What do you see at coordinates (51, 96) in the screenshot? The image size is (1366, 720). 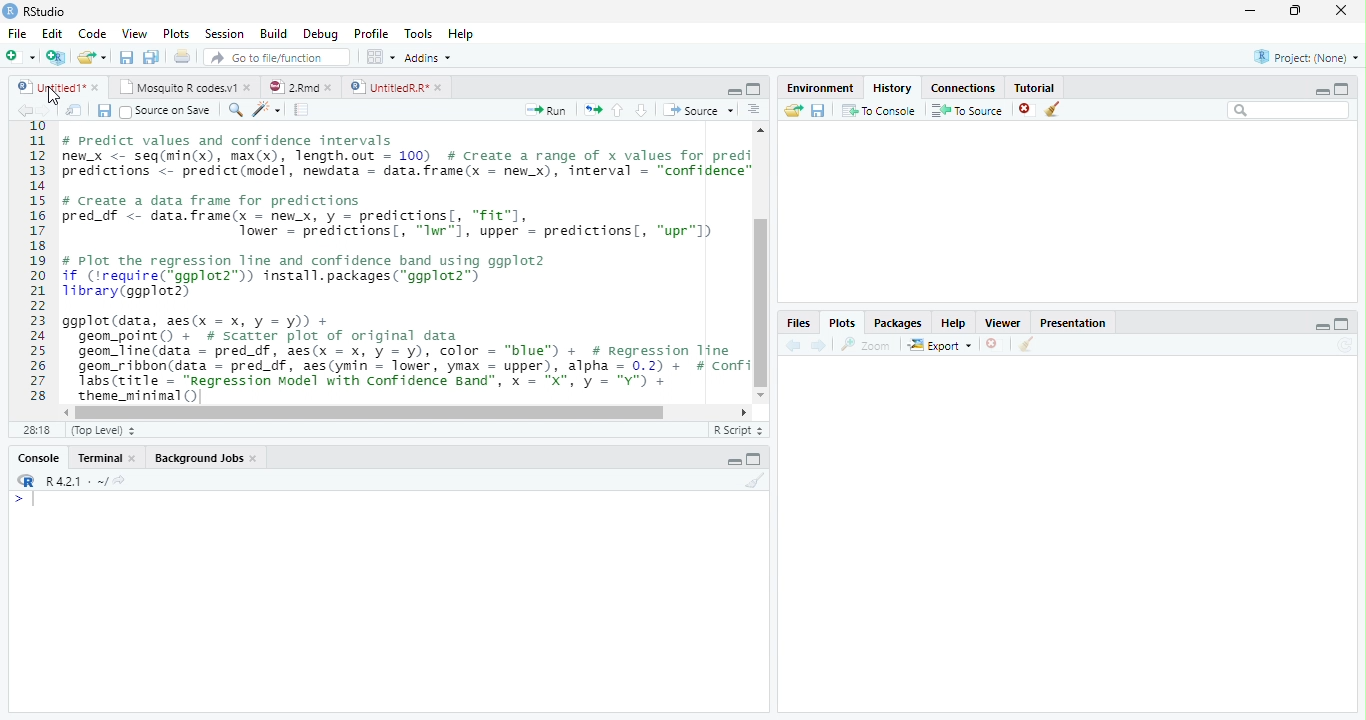 I see `Cursor` at bounding box center [51, 96].